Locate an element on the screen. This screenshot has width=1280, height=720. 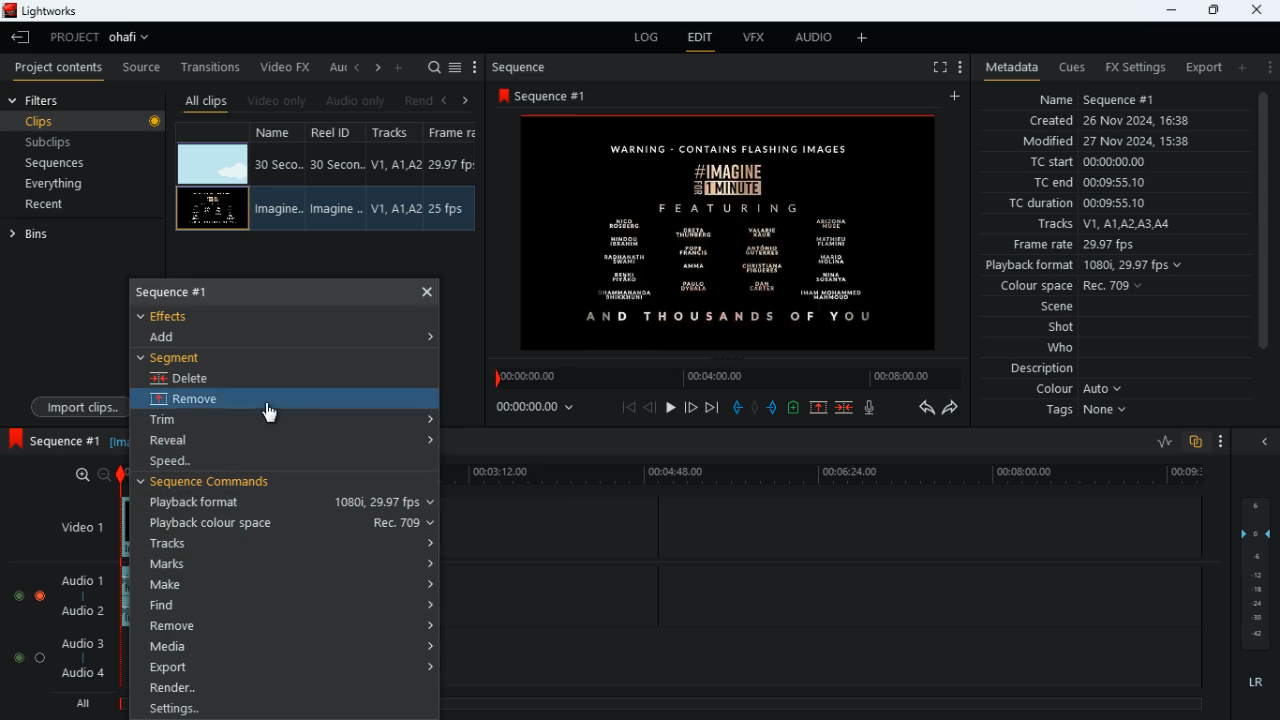
more is located at coordinates (960, 65).